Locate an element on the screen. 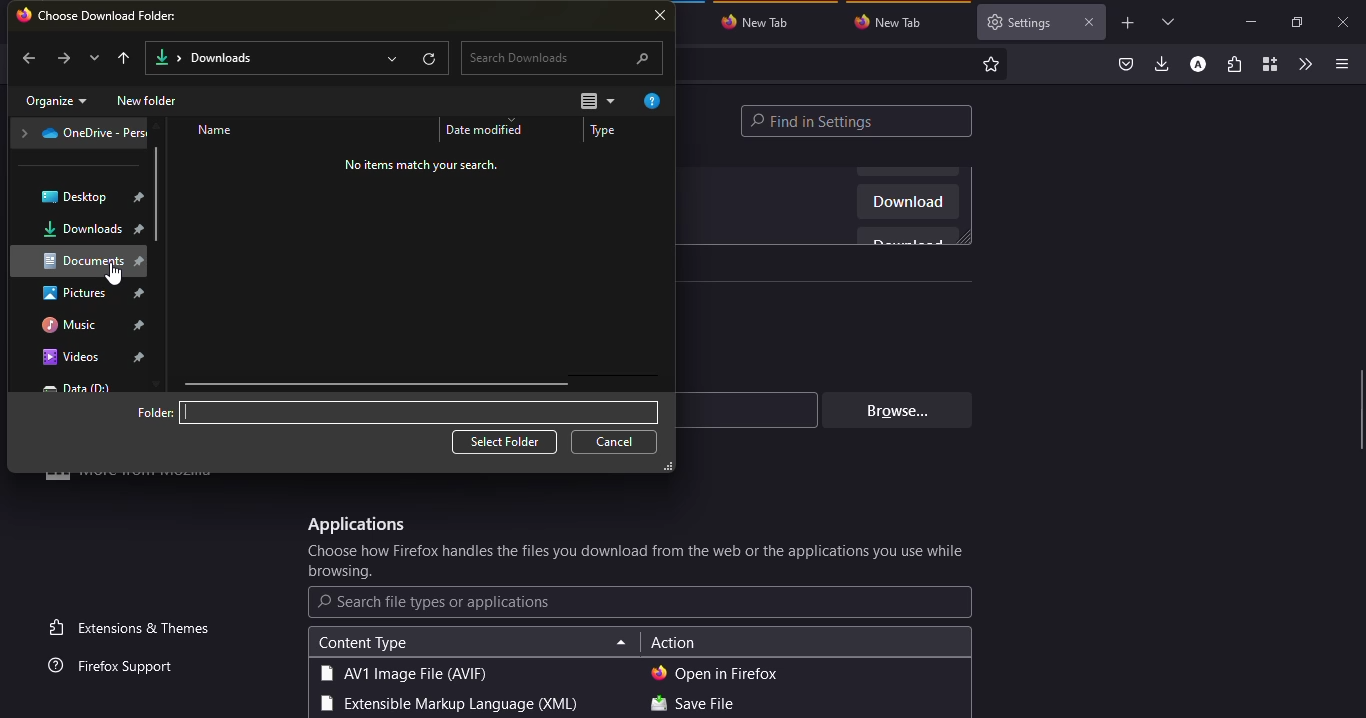 The height and width of the screenshot is (718, 1366). downloads is located at coordinates (205, 59).